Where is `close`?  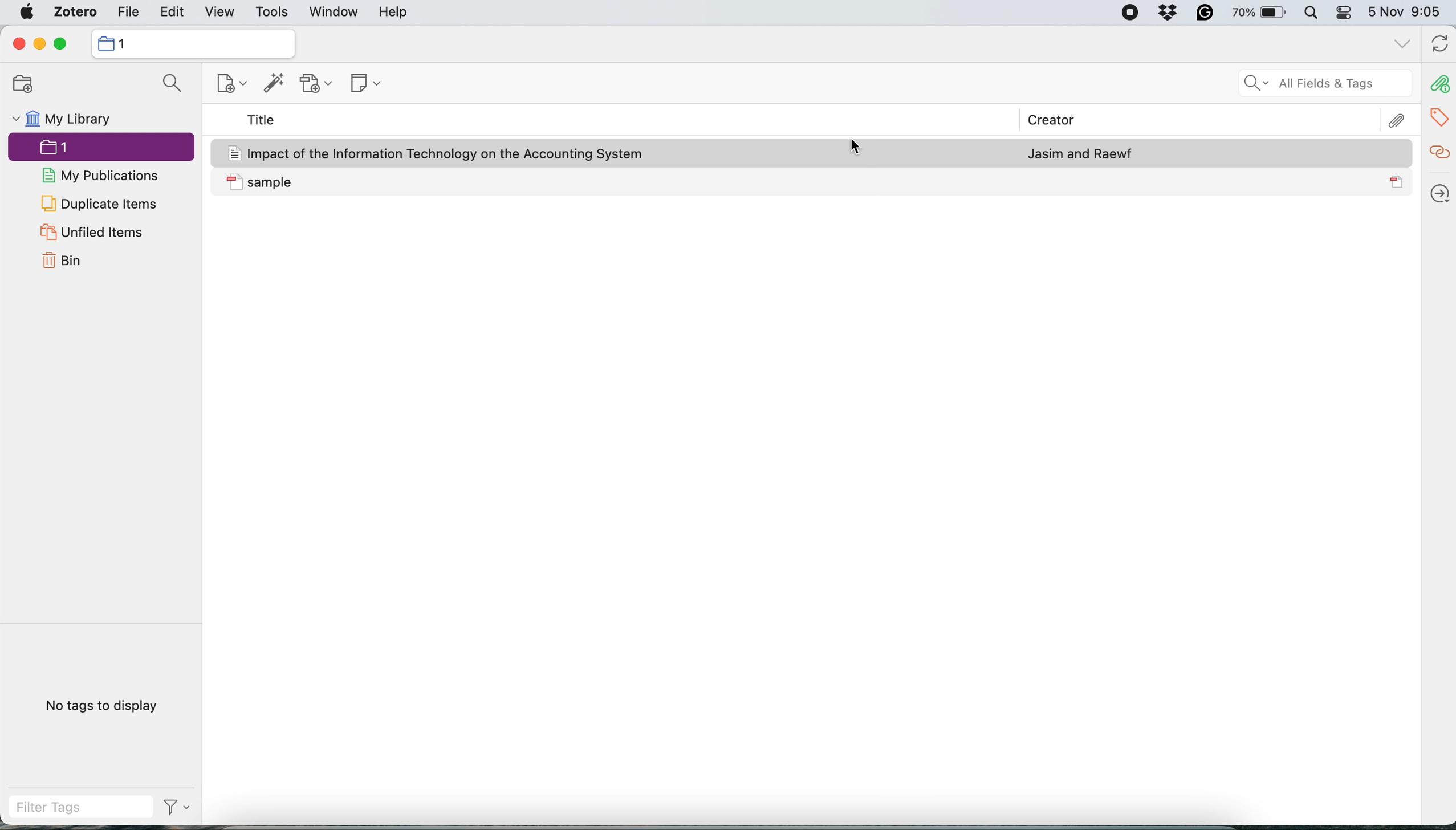 close is located at coordinates (18, 44).